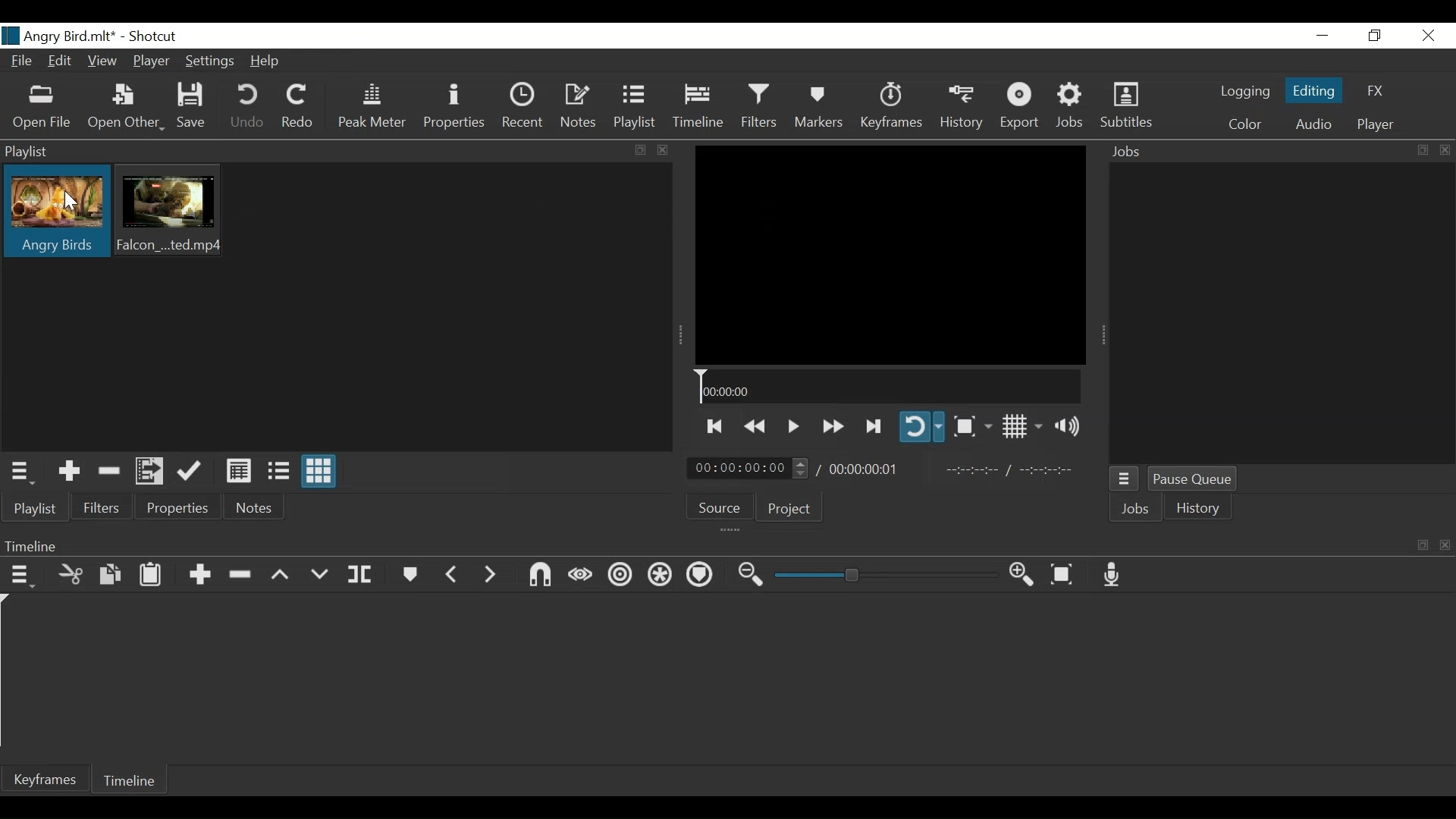  What do you see at coordinates (883, 577) in the screenshot?
I see `Zoom slider` at bounding box center [883, 577].